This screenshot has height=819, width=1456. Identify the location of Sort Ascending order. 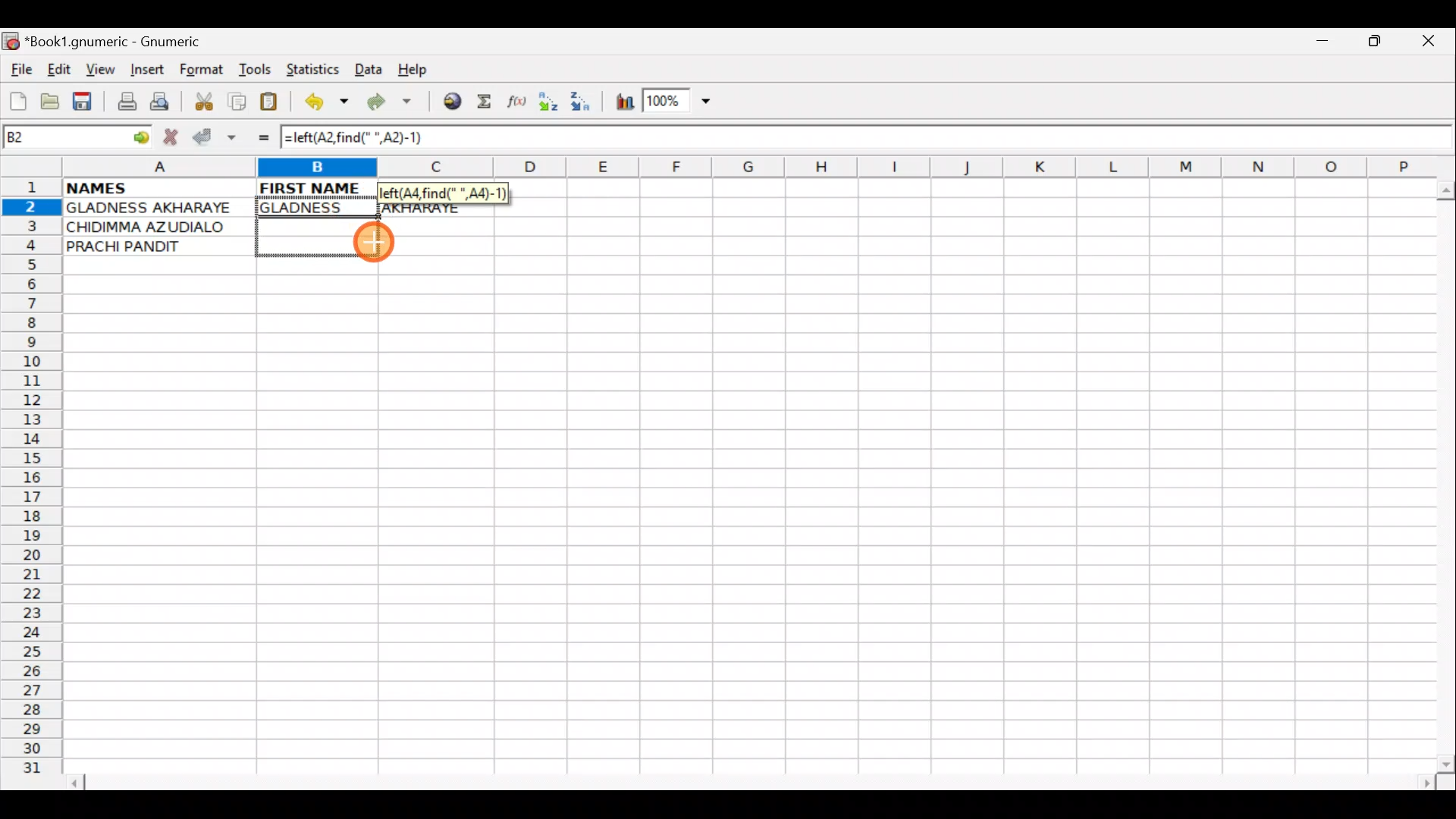
(553, 105).